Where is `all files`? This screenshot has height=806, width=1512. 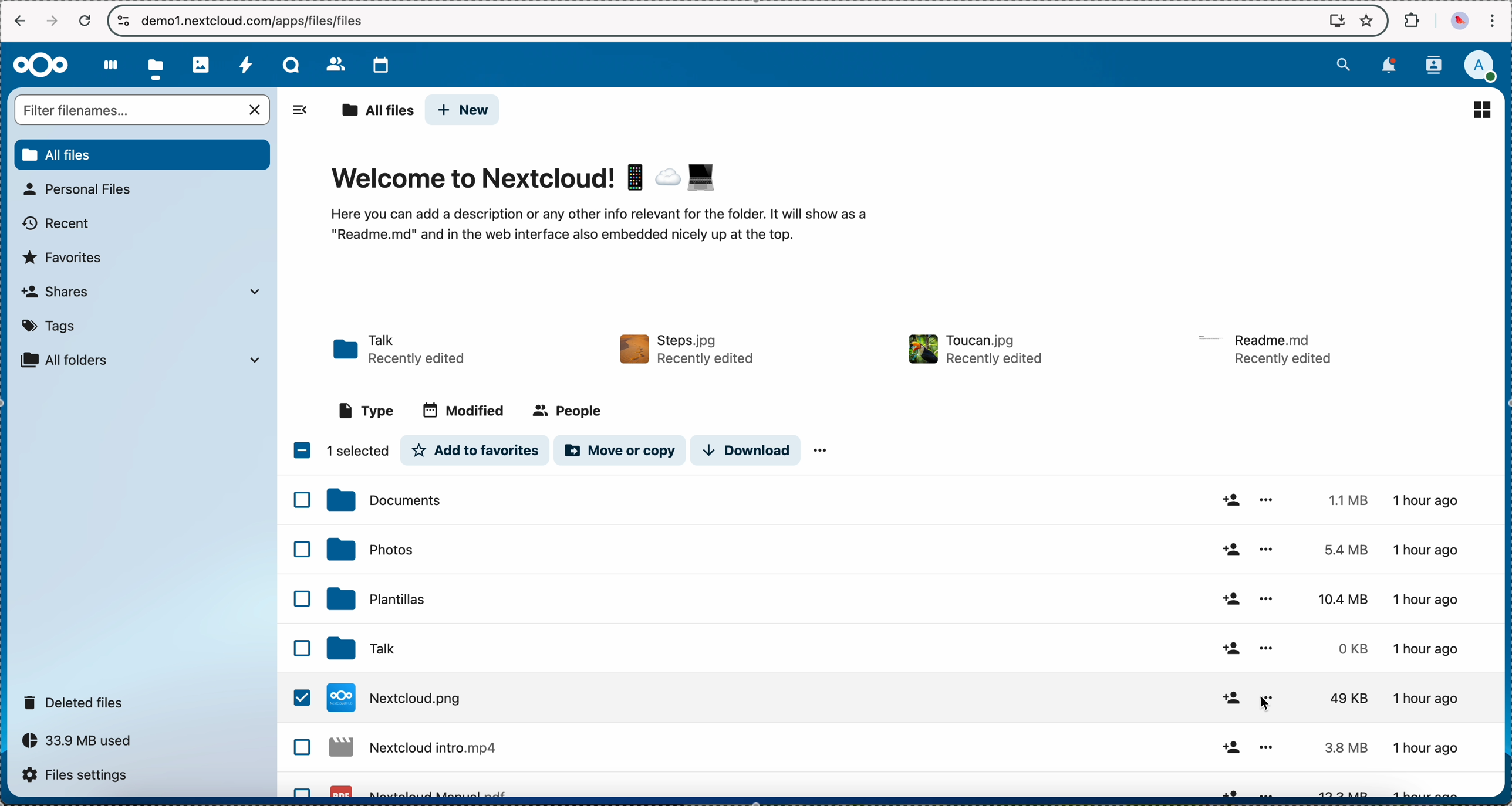 all files is located at coordinates (141, 155).